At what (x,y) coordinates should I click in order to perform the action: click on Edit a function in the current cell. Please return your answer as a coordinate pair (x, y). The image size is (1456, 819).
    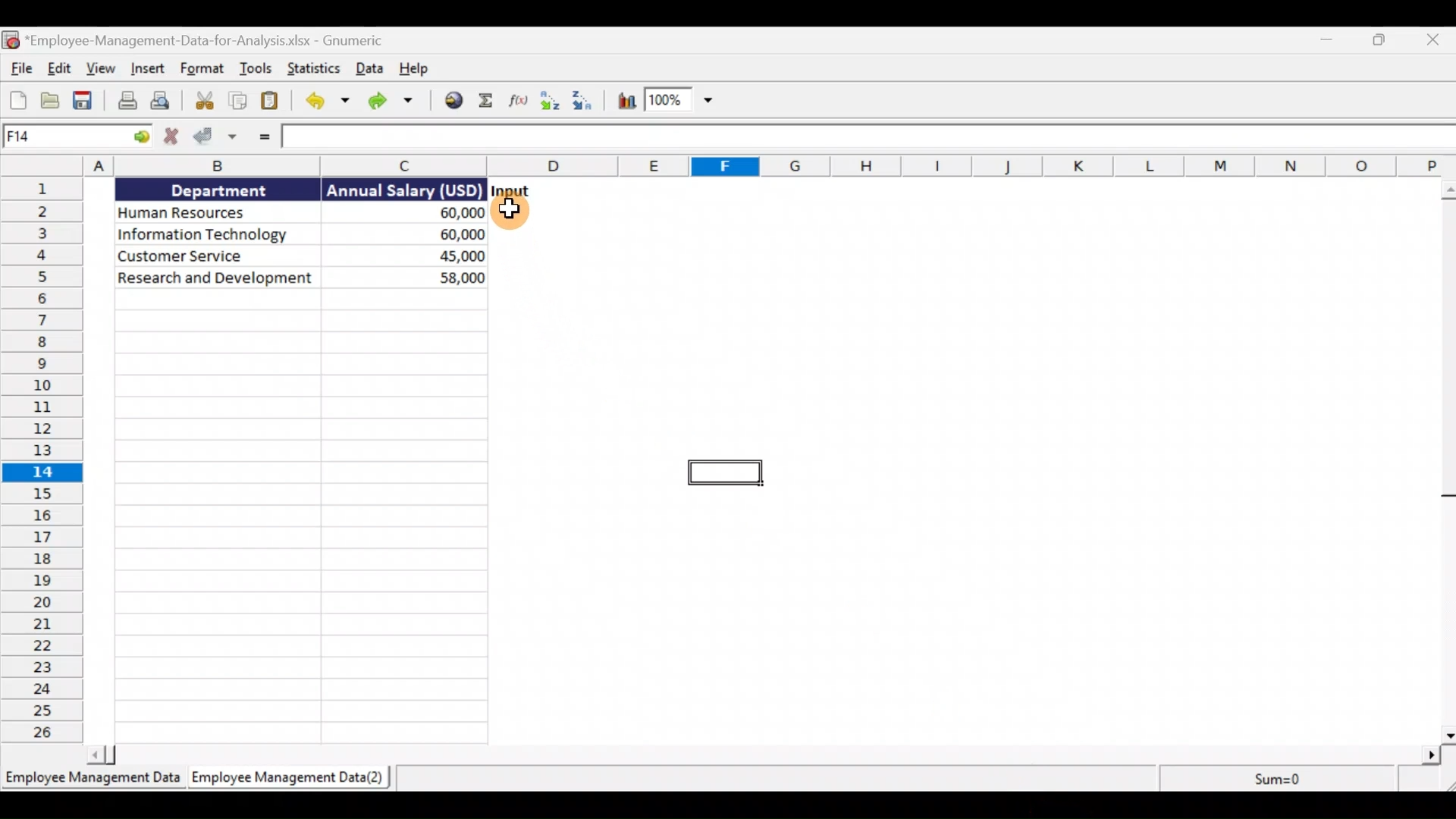
    Looking at the image, I should click on (517, 102).